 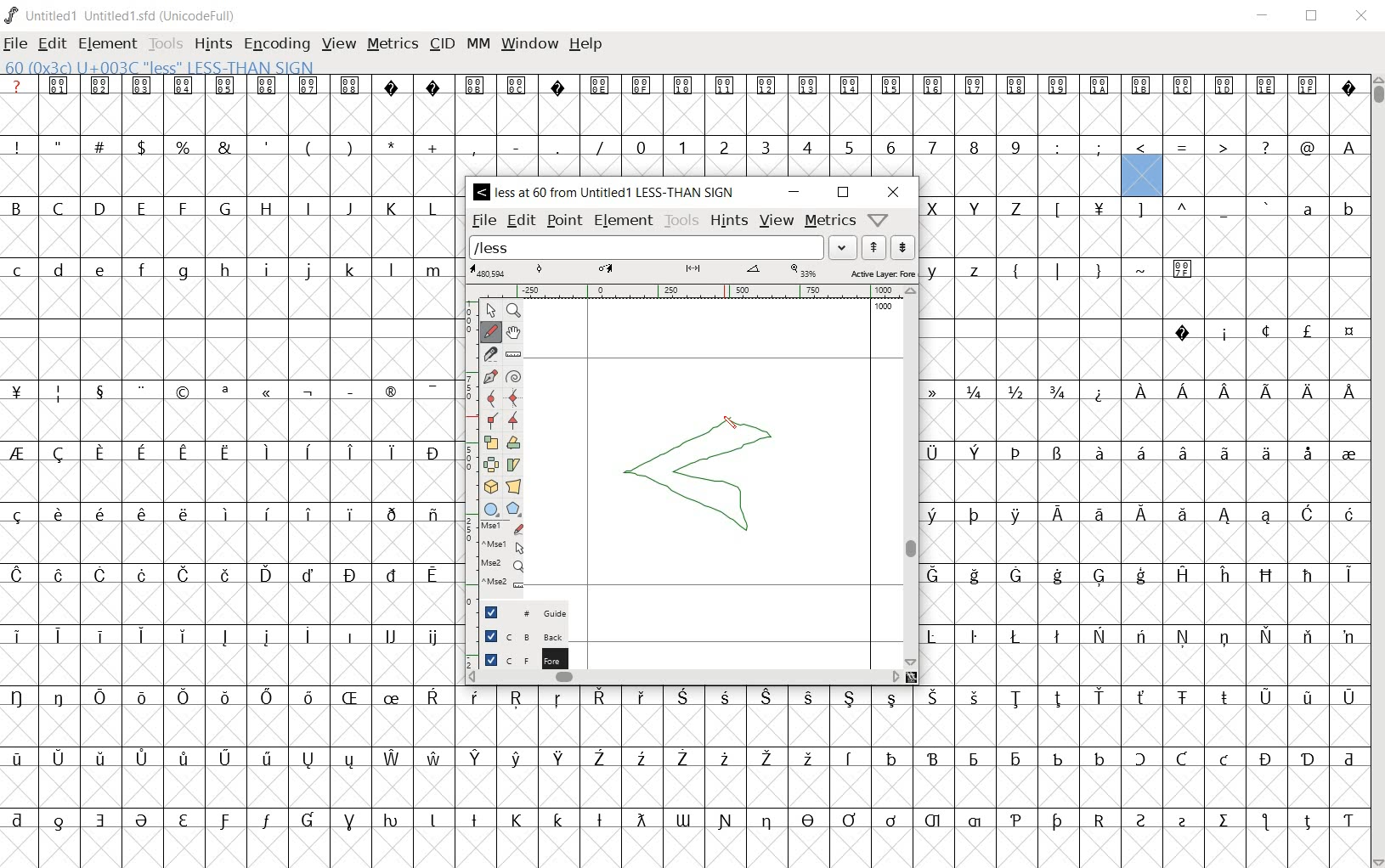 I want to click on polygon or star, so click(x=514, y=509).